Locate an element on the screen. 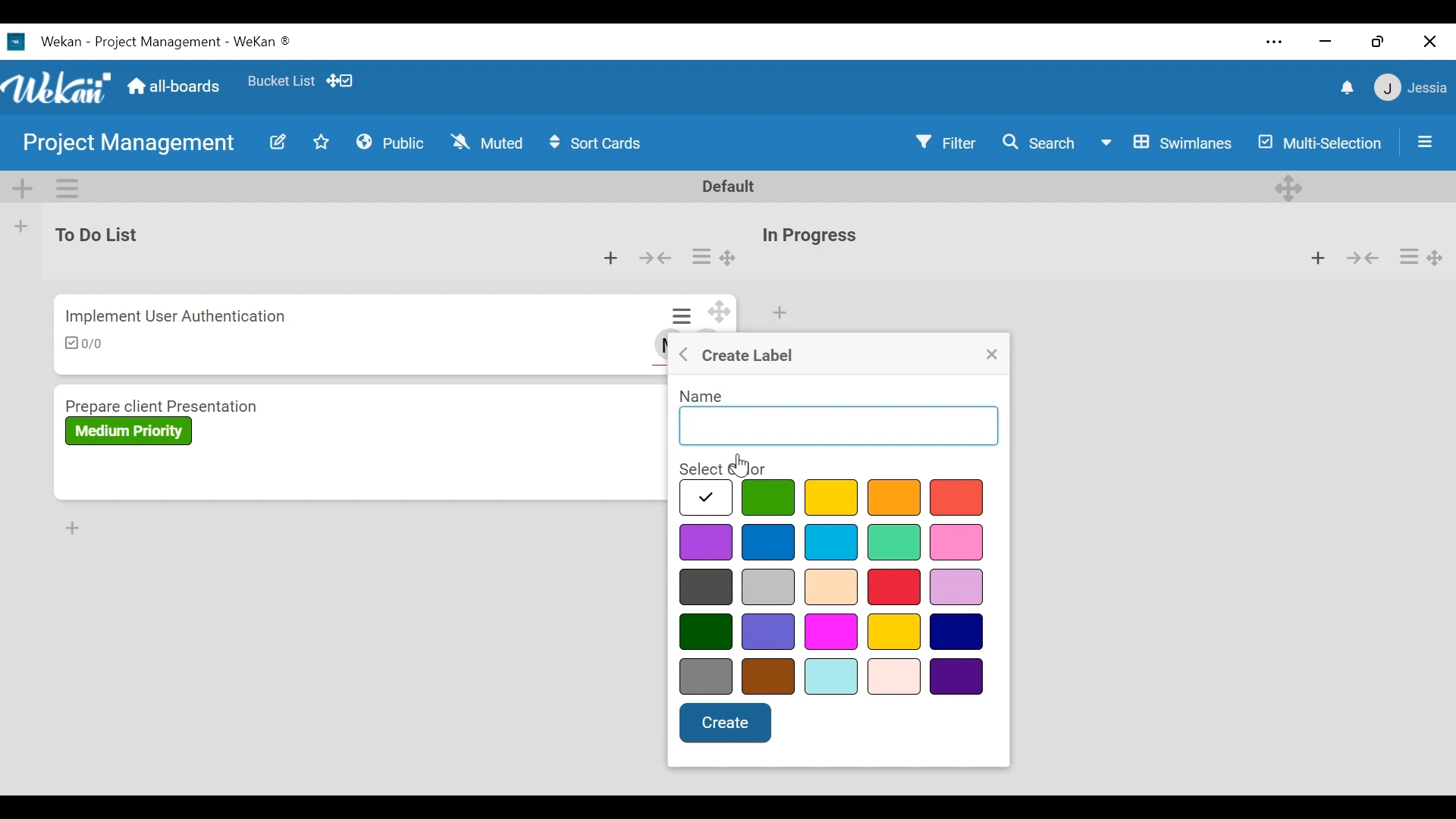 The image size is (1456, 819). Add card to top of the list is located at coordinates (611, 259).